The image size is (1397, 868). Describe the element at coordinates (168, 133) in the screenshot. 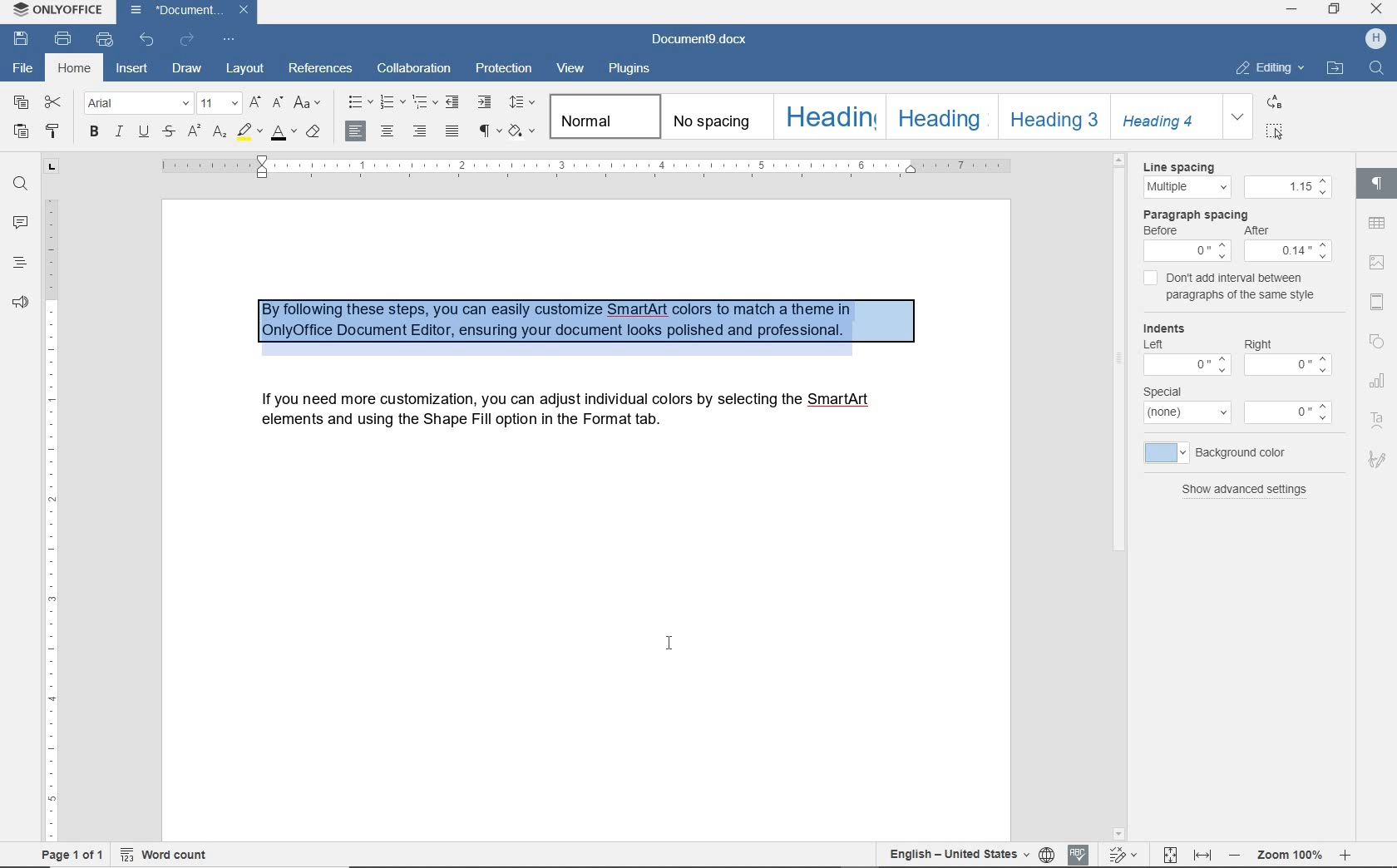

I see `strikethrough` at that location.